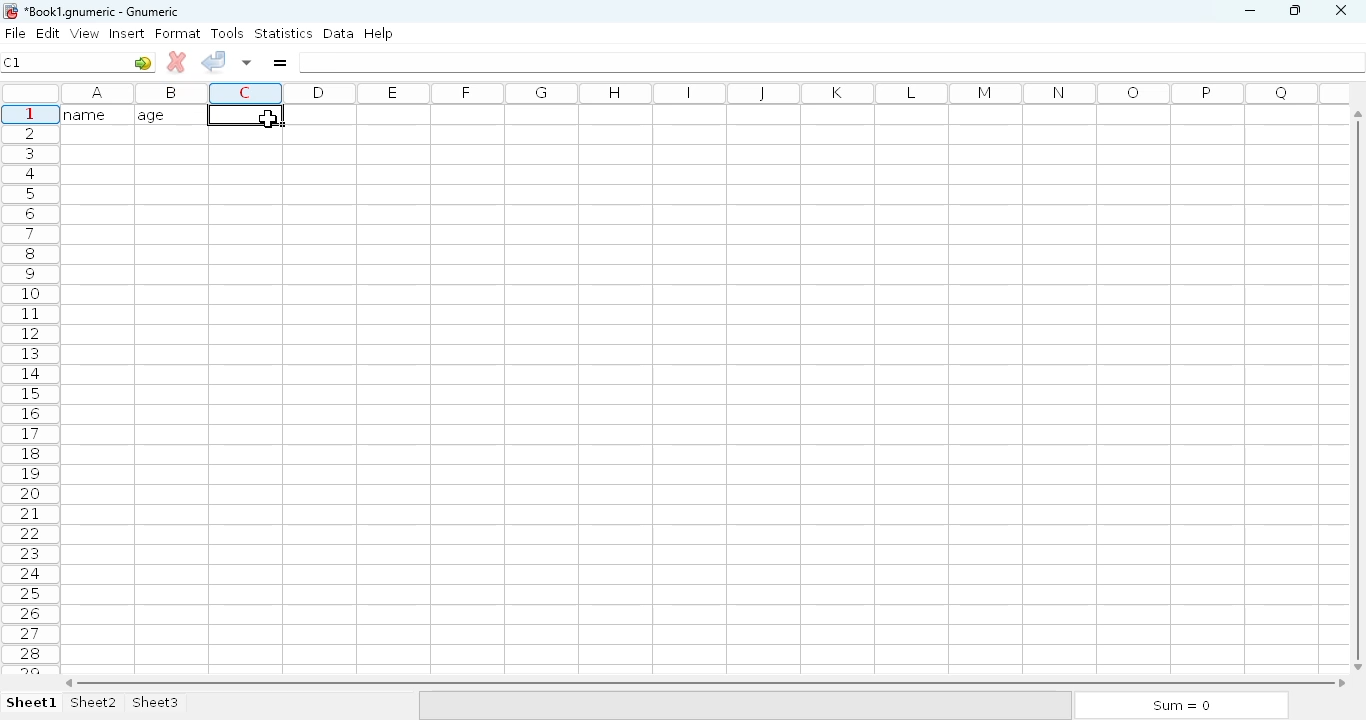  What do you see at coordinates (9, 11) in the screenshot?
I see `logo` at bounding box center [9, 11].